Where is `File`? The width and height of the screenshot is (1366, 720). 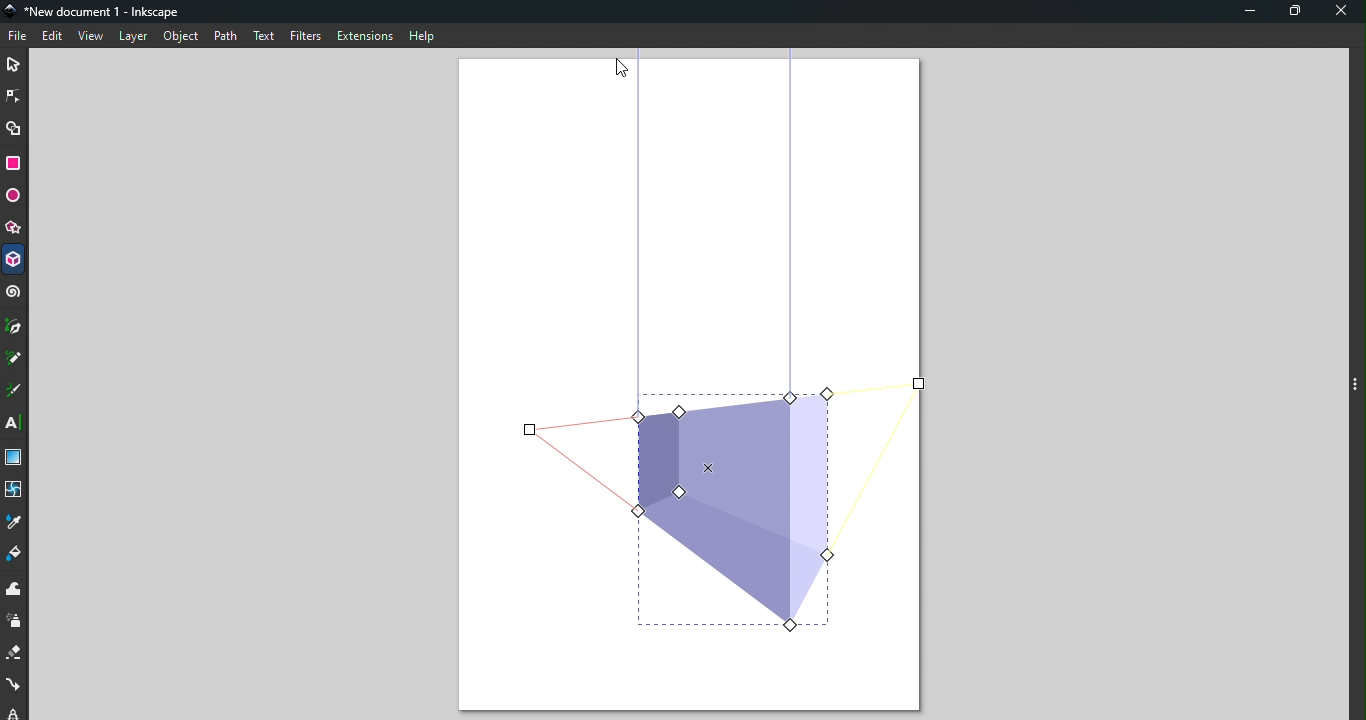 File is located at coordinates (18, 37).